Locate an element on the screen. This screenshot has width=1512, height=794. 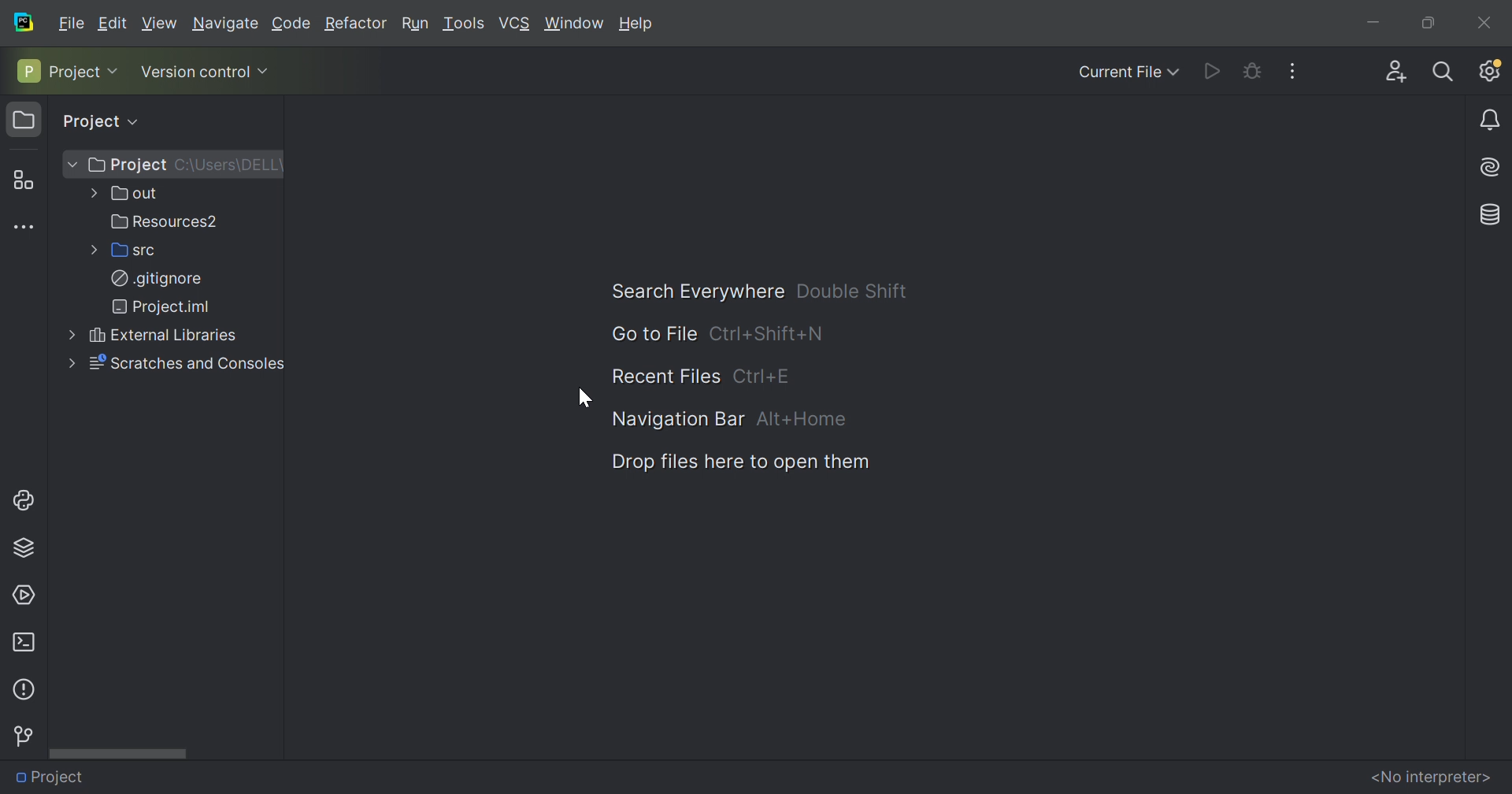
Help is located at coordinates (637, 23).